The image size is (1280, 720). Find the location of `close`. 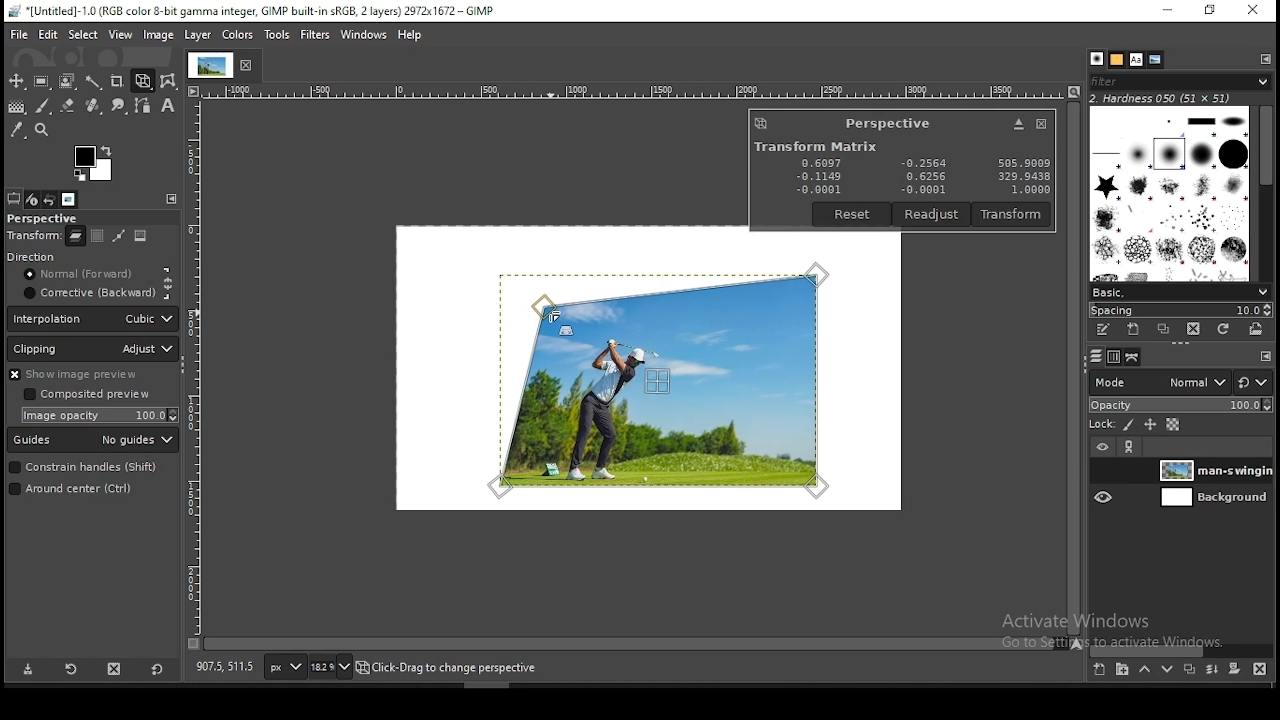

close is located at coordinates (250, 66).